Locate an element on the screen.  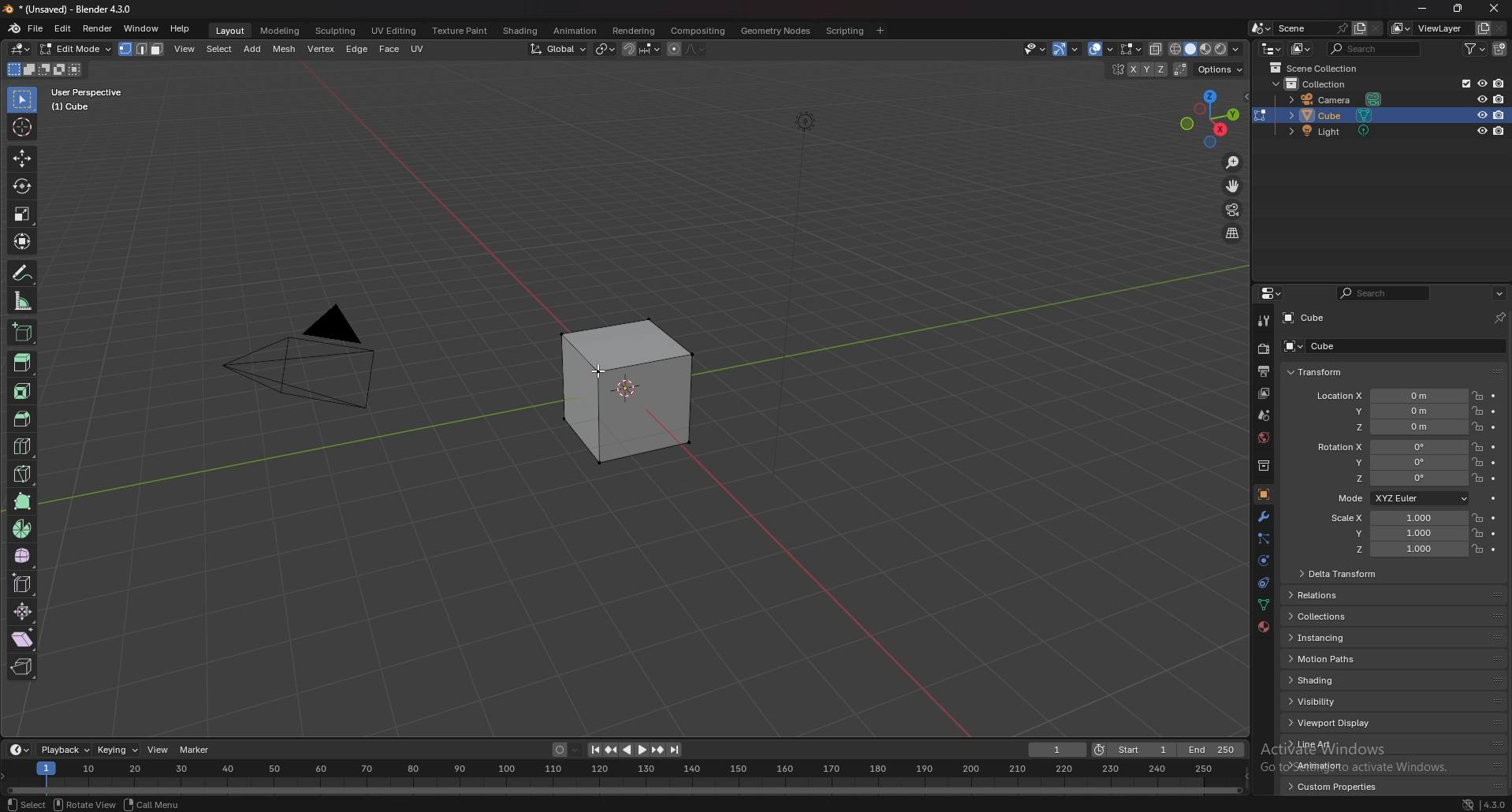
move is located at coordinates (23, 159).